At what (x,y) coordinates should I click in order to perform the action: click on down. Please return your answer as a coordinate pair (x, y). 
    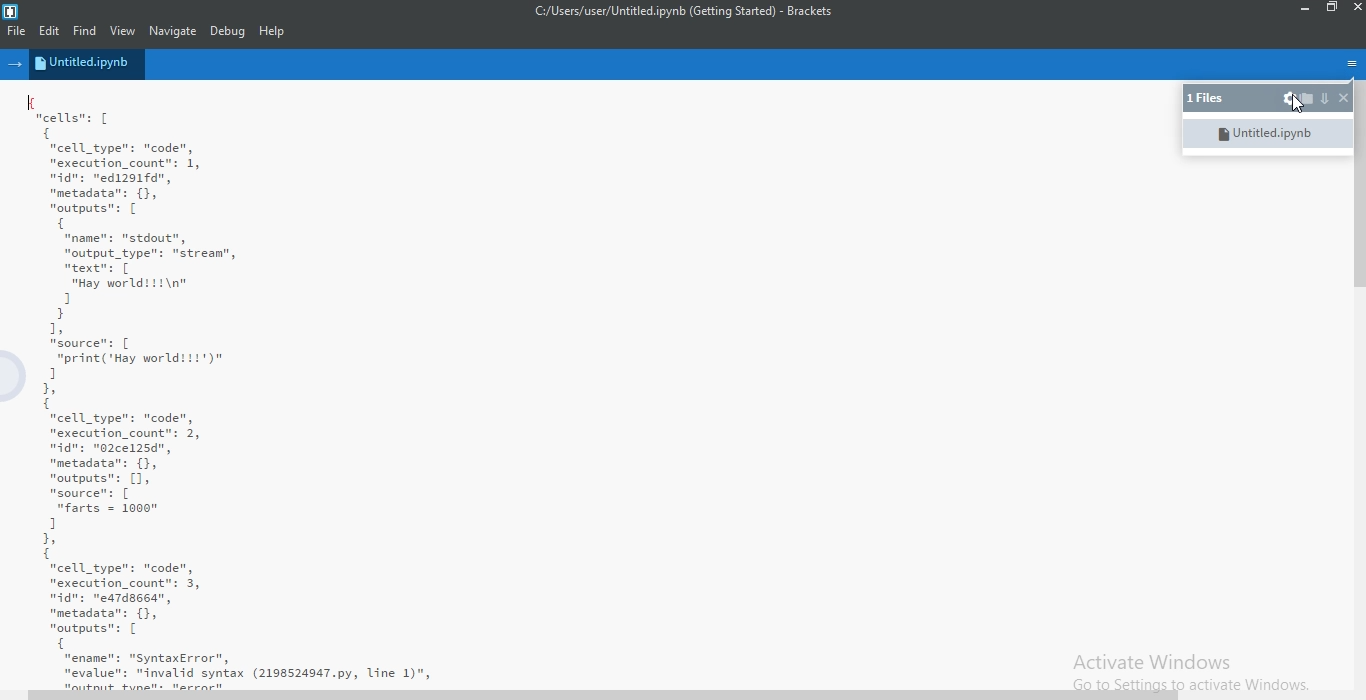
    Looking at the image, I should click on (1324, 99).